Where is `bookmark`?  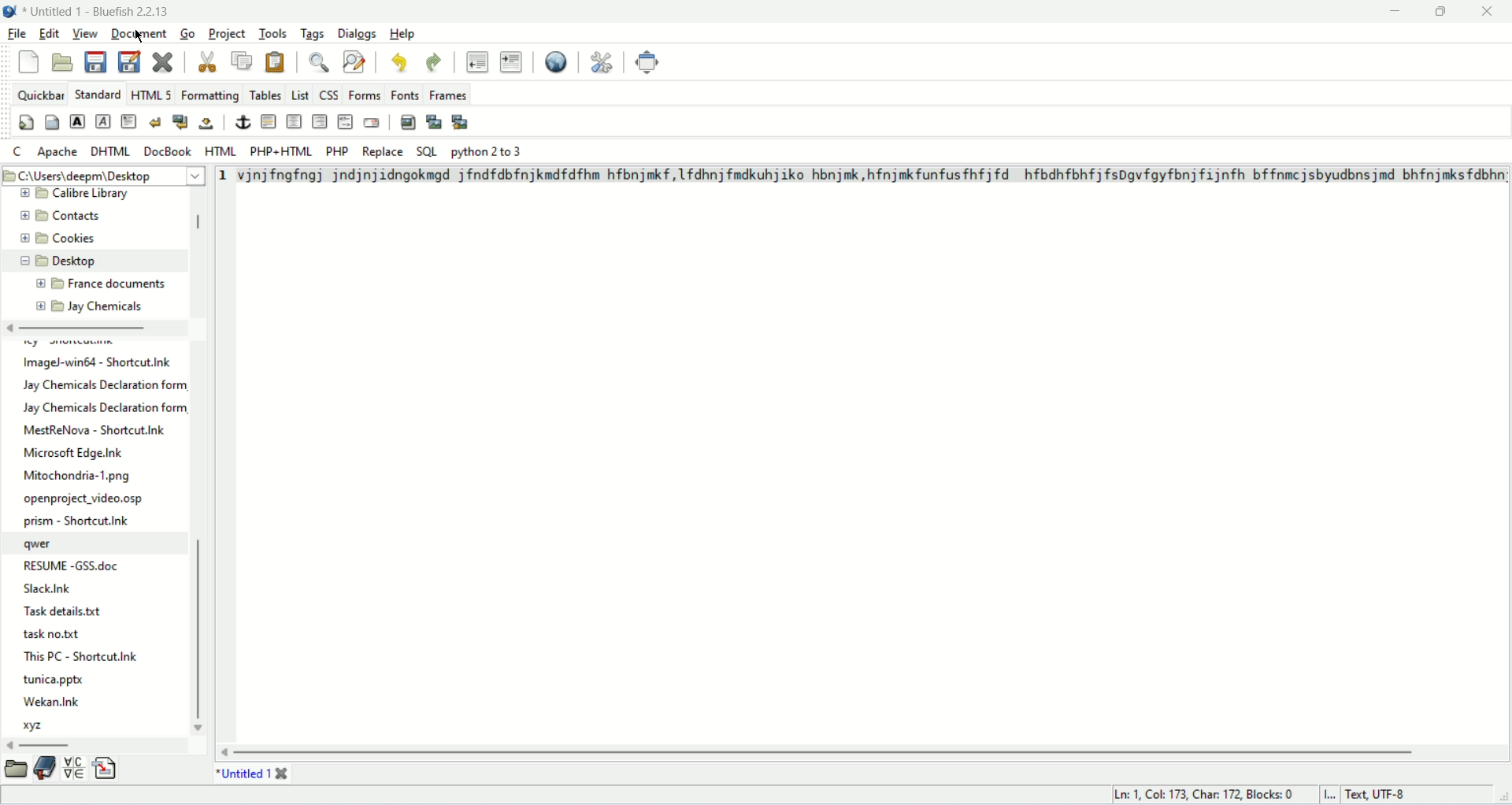
bookmark is located at coordinates (44, 771).